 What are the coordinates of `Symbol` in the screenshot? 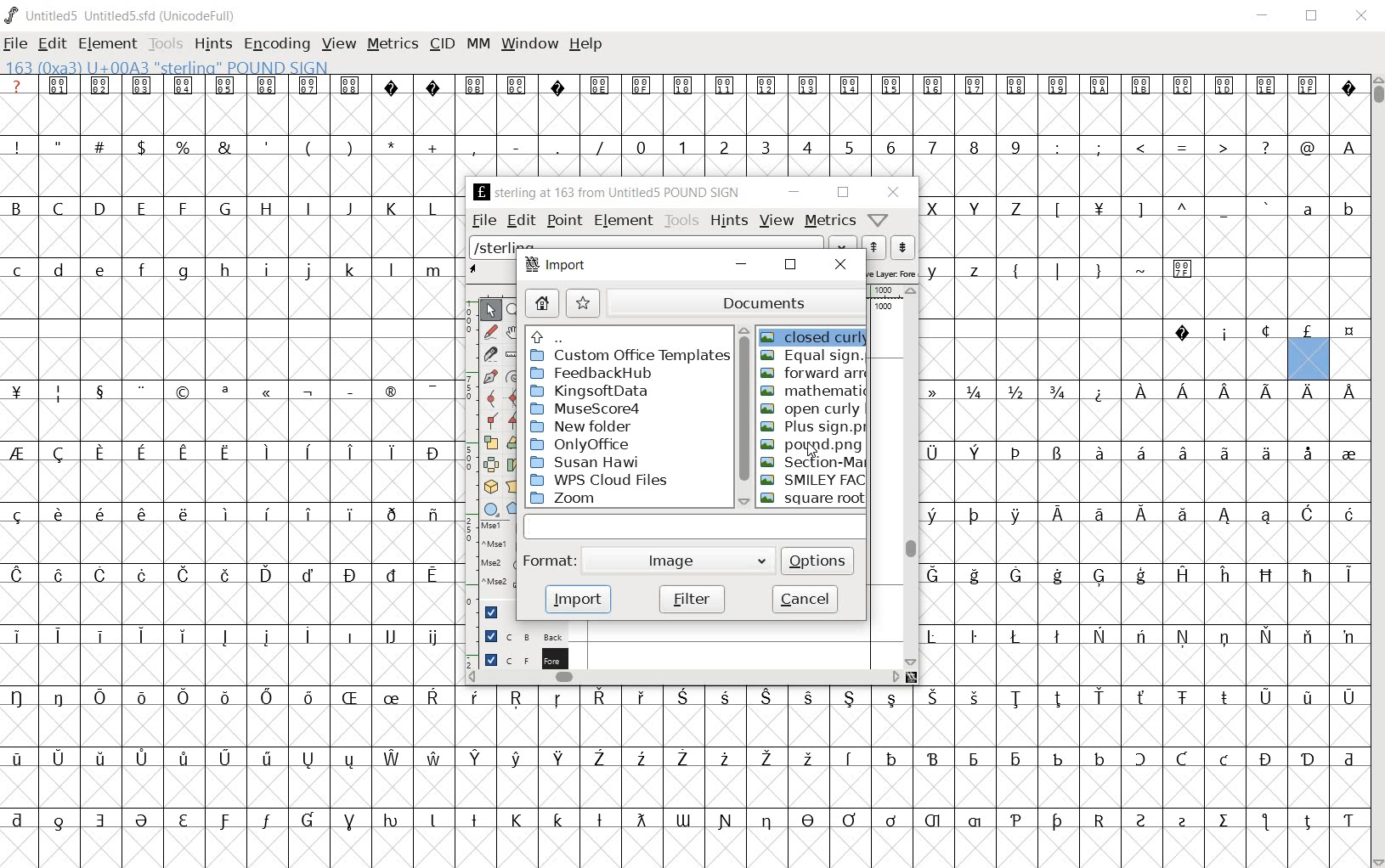 It's located at (393, 821).